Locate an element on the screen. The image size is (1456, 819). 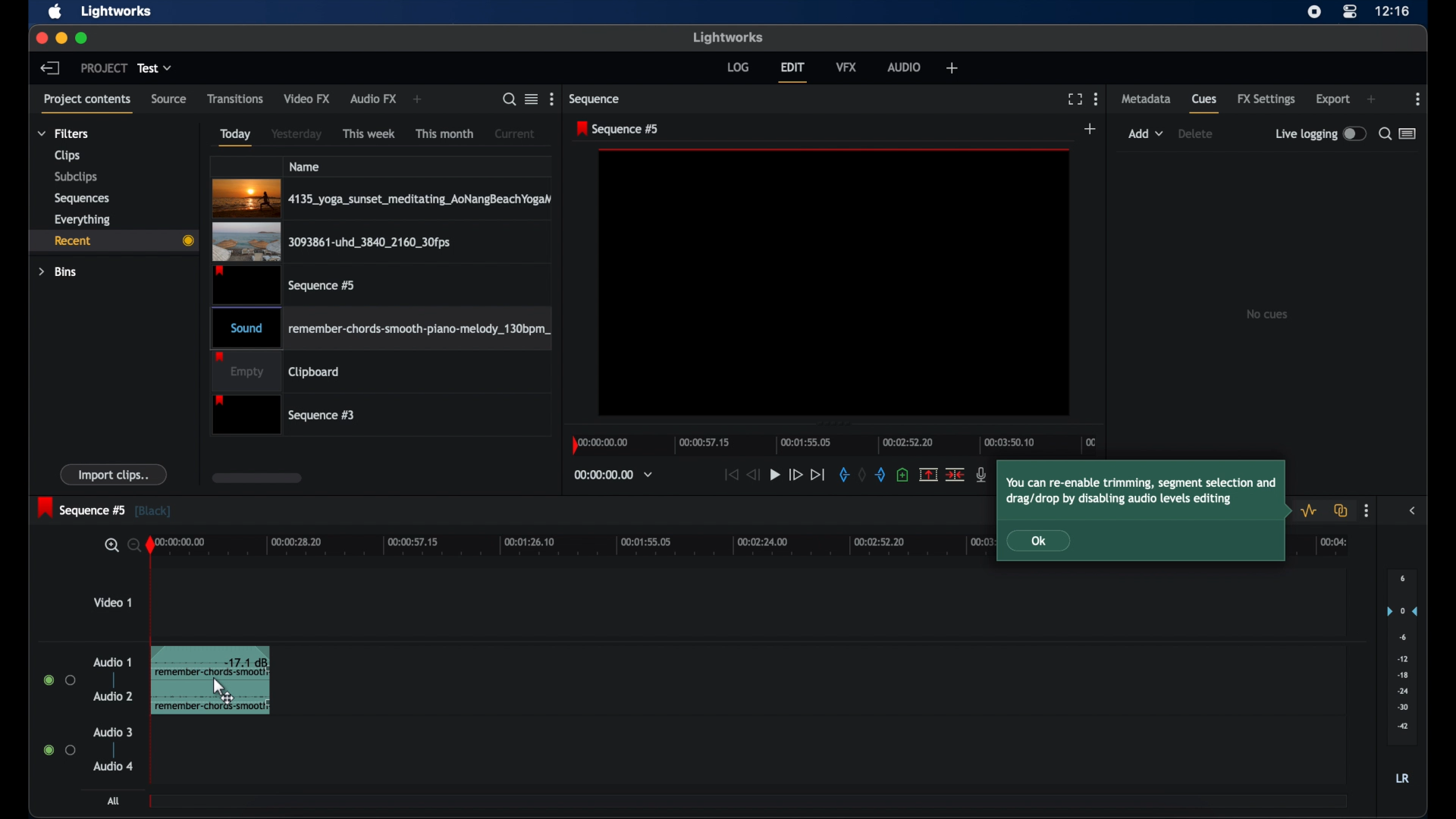
sequence 5 is located at coordinates (619, 128).